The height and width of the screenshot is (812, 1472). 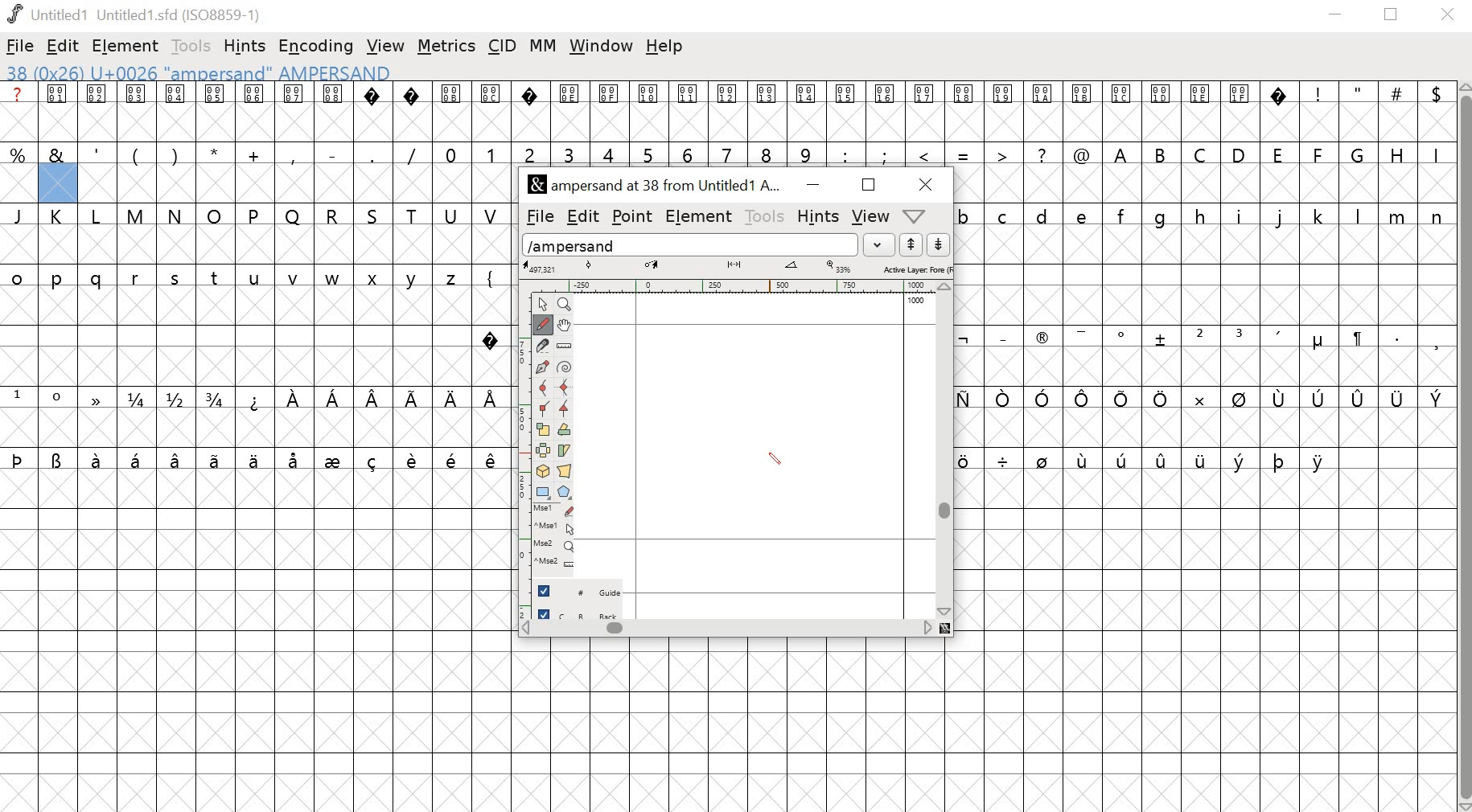 I want to click on symbol, so click(x=374, y=459).